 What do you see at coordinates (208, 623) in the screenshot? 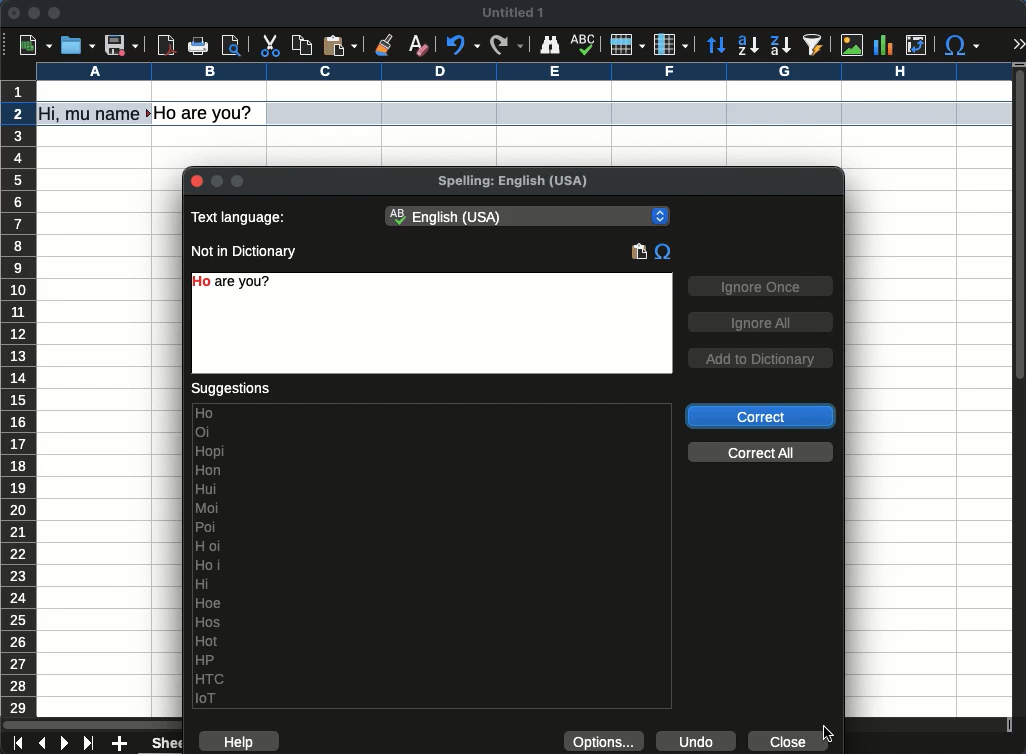
I see `Hos` at bounding box center [208, 623].